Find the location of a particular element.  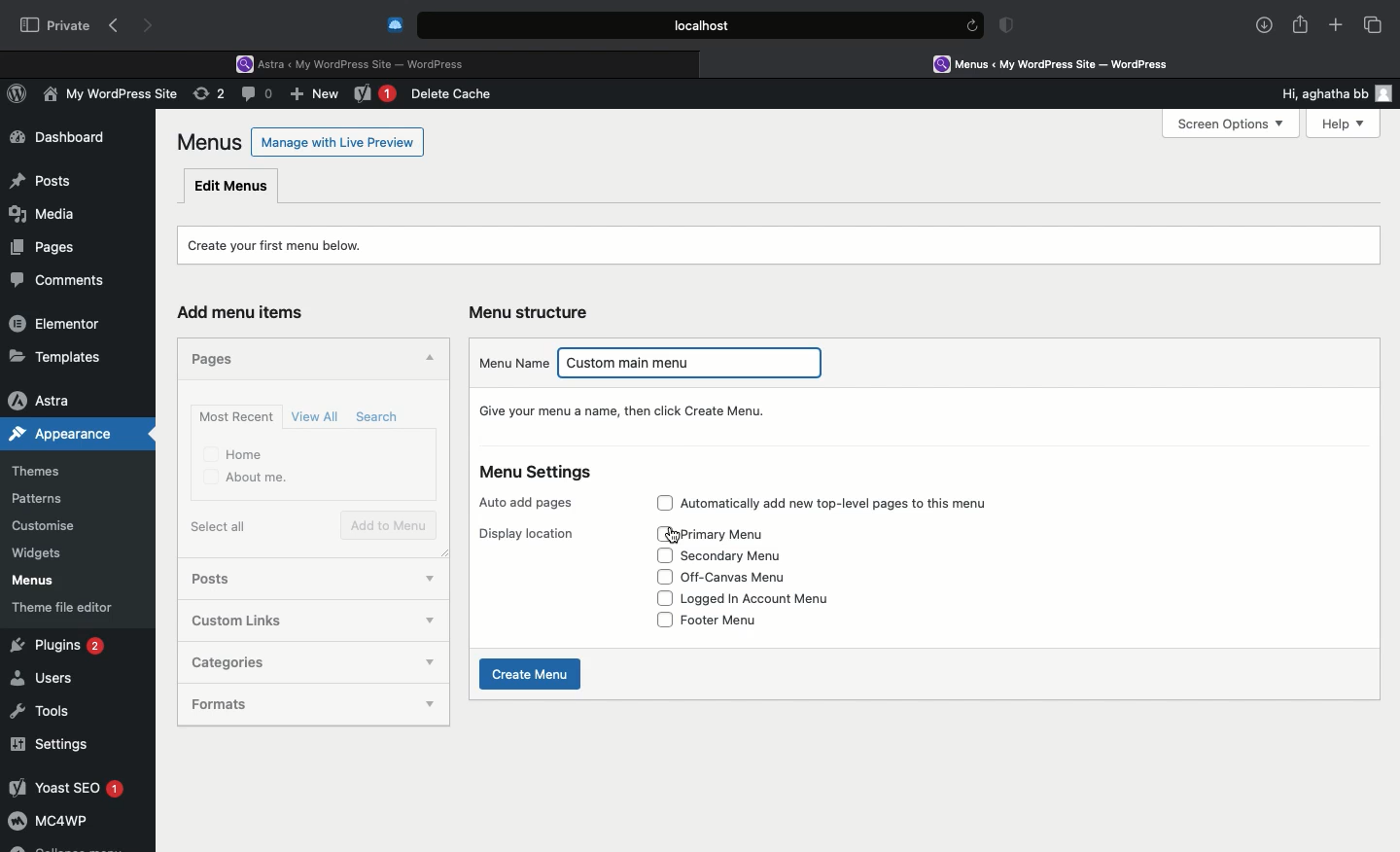

Automatically add new top-level pages to this menu is located at coordinates (857, 505).